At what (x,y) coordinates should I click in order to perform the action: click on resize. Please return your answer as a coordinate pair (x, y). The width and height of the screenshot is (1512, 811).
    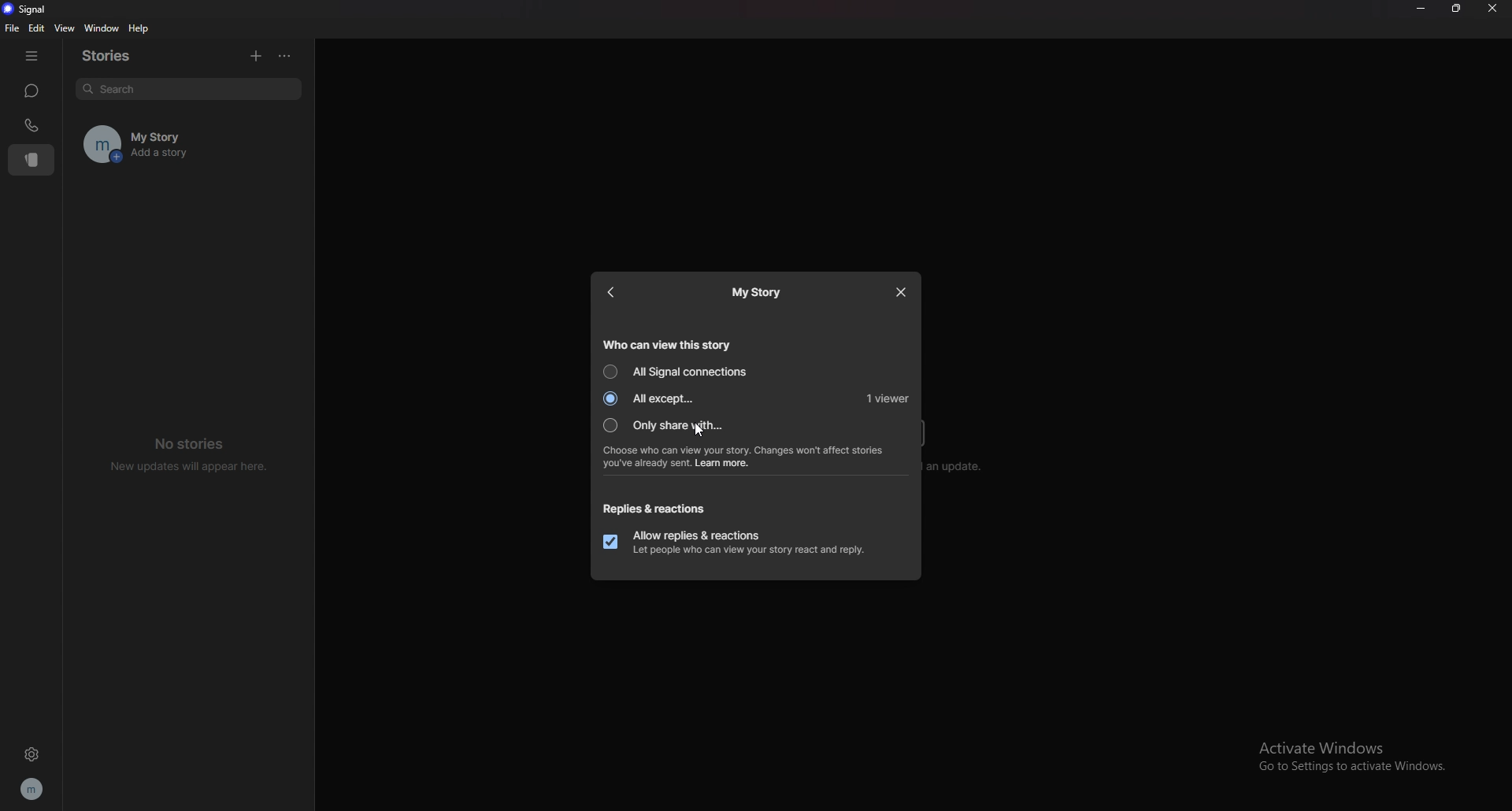
    Looking at the image, I should click on (1456, 9).